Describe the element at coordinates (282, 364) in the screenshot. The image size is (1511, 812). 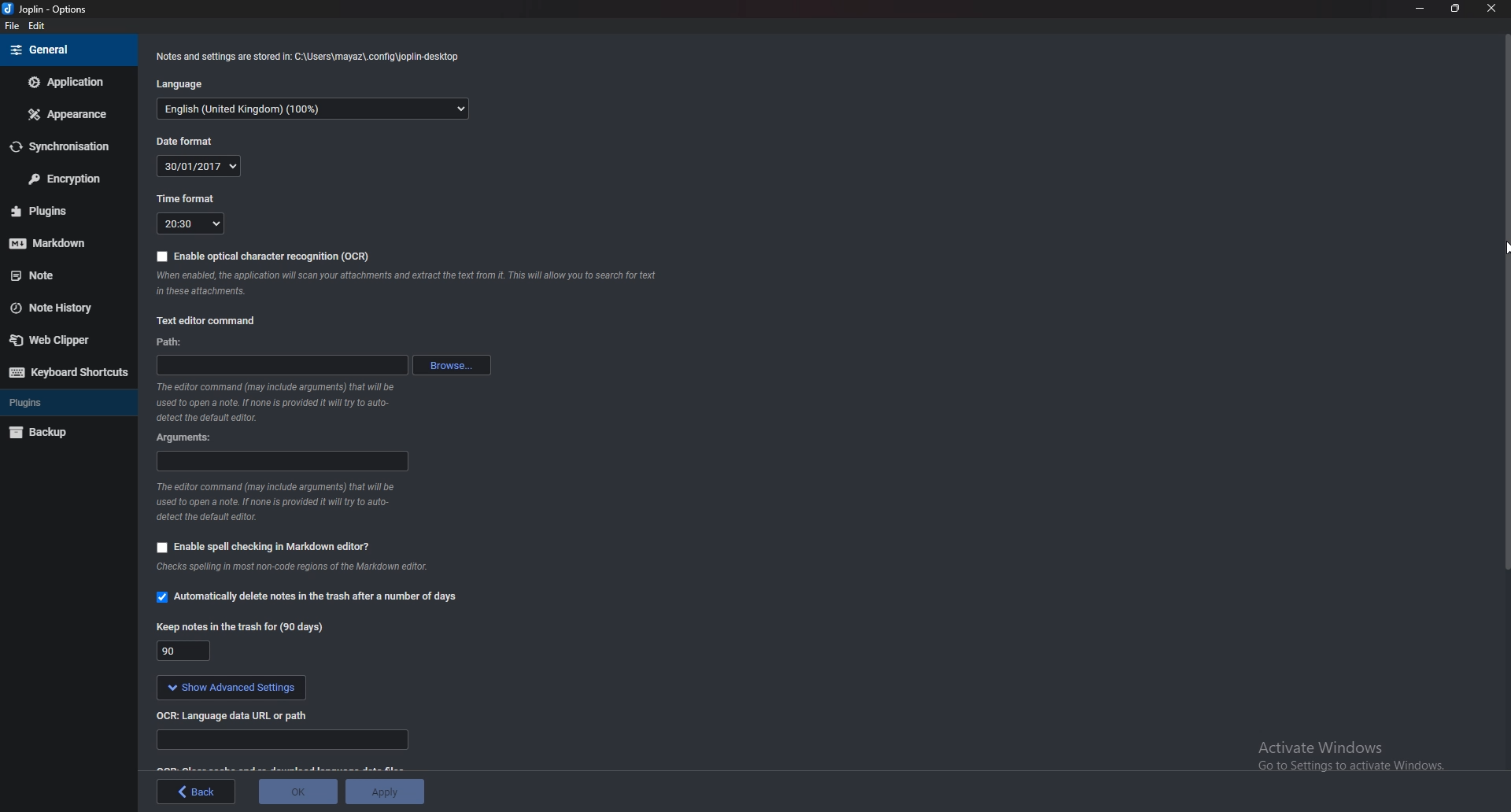
I see `path` at that location.